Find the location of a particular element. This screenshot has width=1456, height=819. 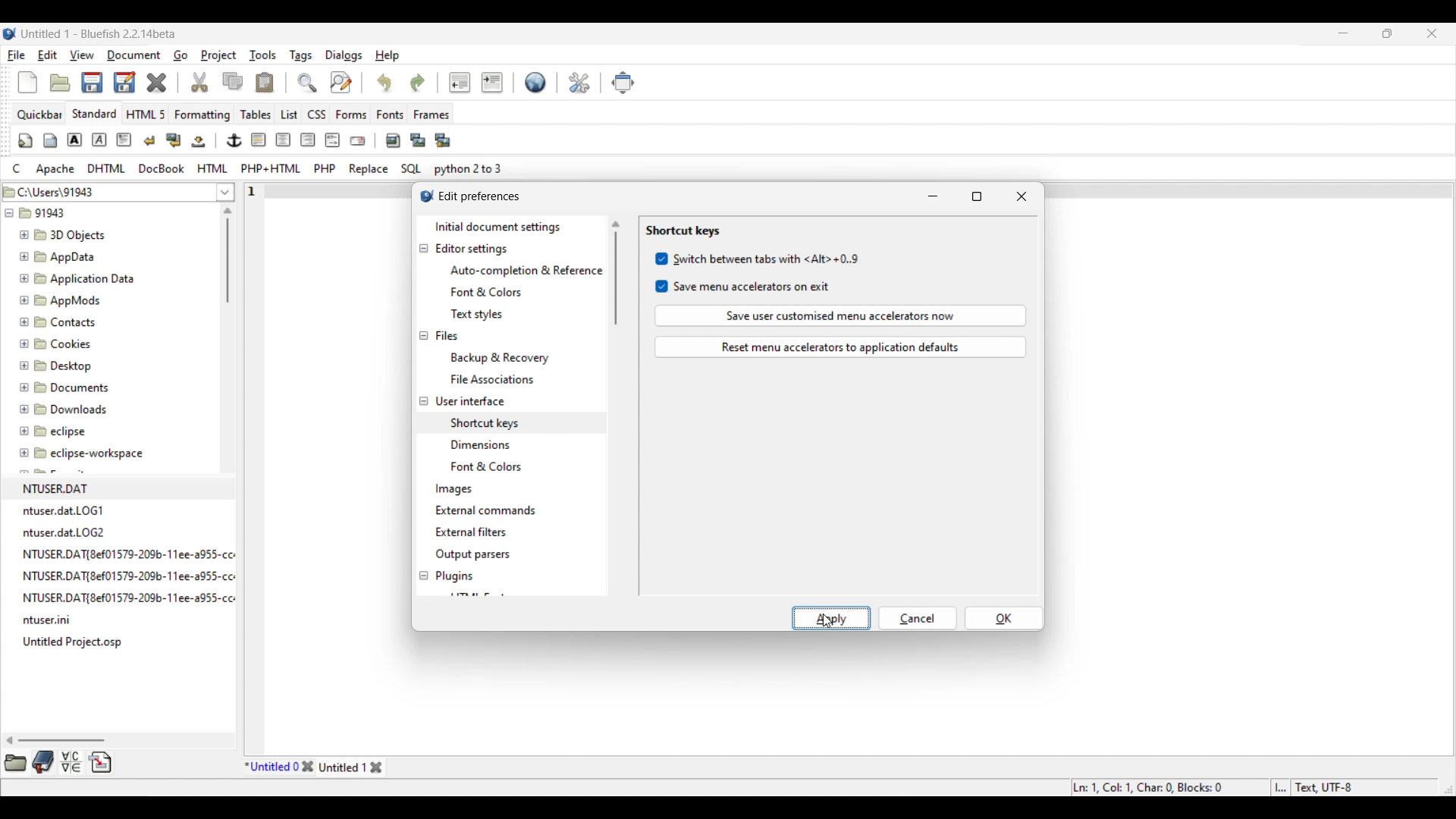

Go menu is located at coordinates (180, 55).